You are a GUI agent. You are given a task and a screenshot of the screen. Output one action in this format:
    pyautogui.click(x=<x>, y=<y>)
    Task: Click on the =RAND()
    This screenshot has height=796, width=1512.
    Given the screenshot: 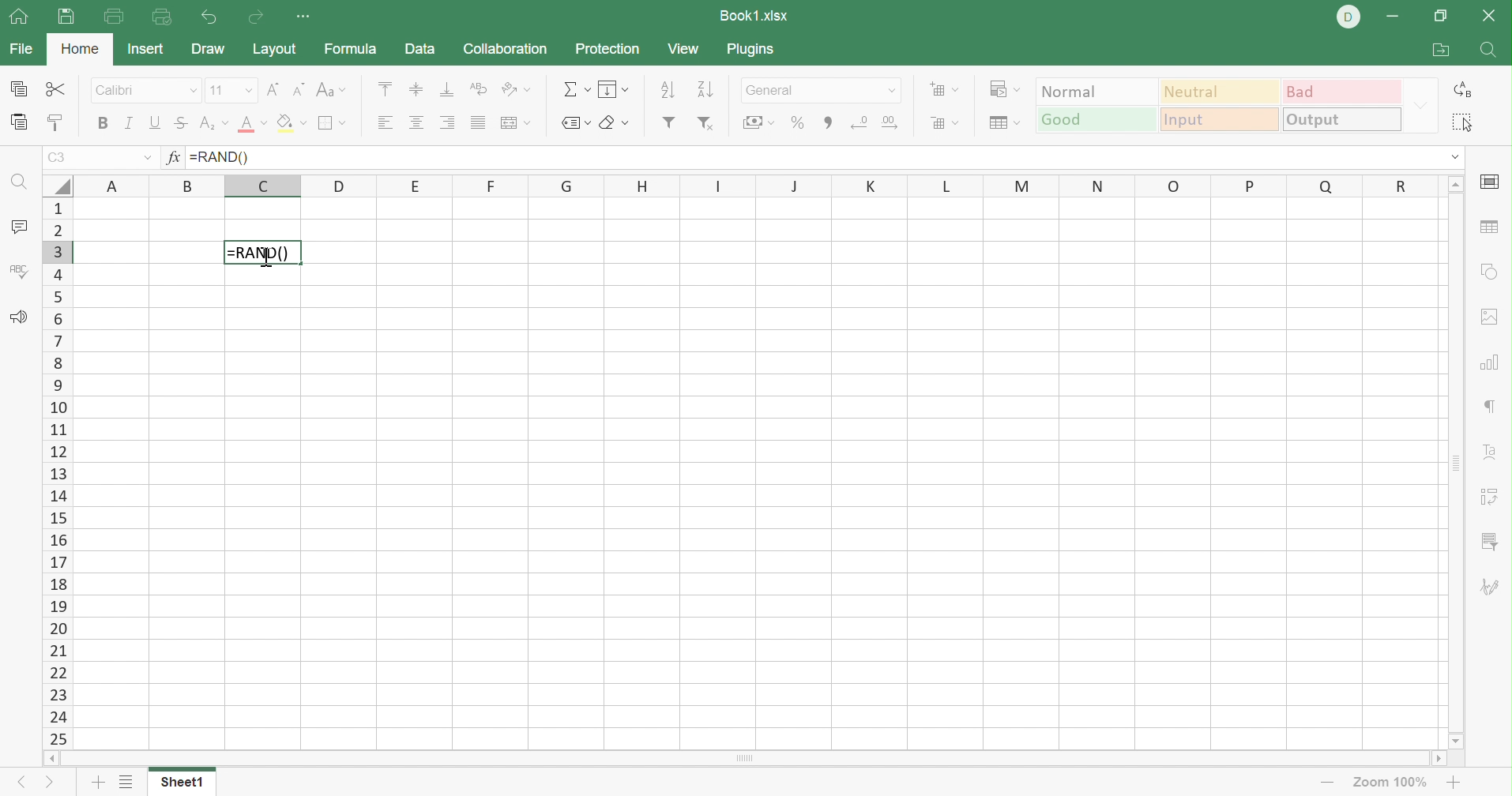 What is the action you would take?
    pyautogui.click(x=262, y=253)
    